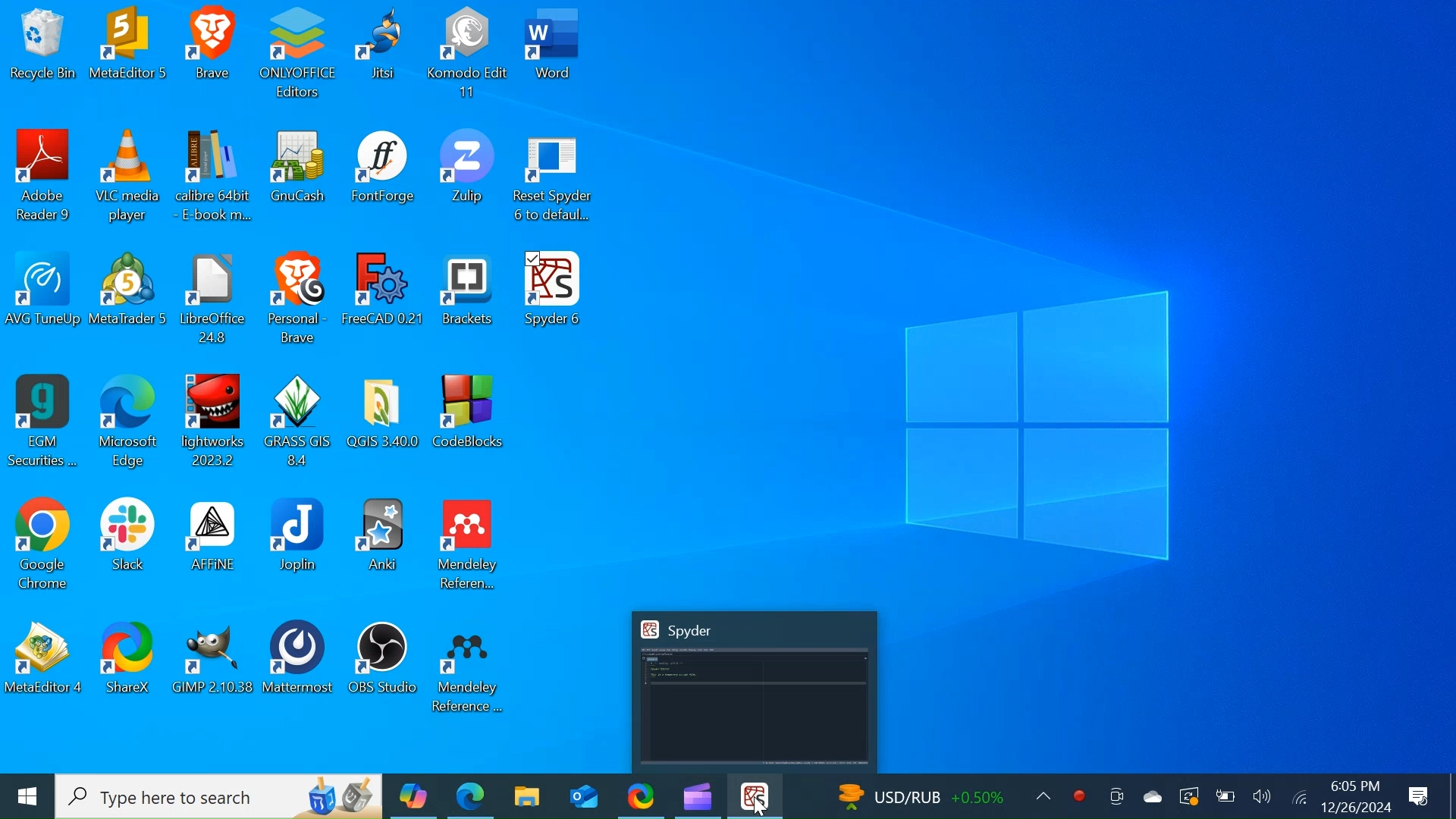 This screenshot has height=819, width=1456. What do you see at coordinates (697, 795) in the screenshot?
I see `Microsoft Clipchamp Desktop Icon` at bounding box center [697, 795].